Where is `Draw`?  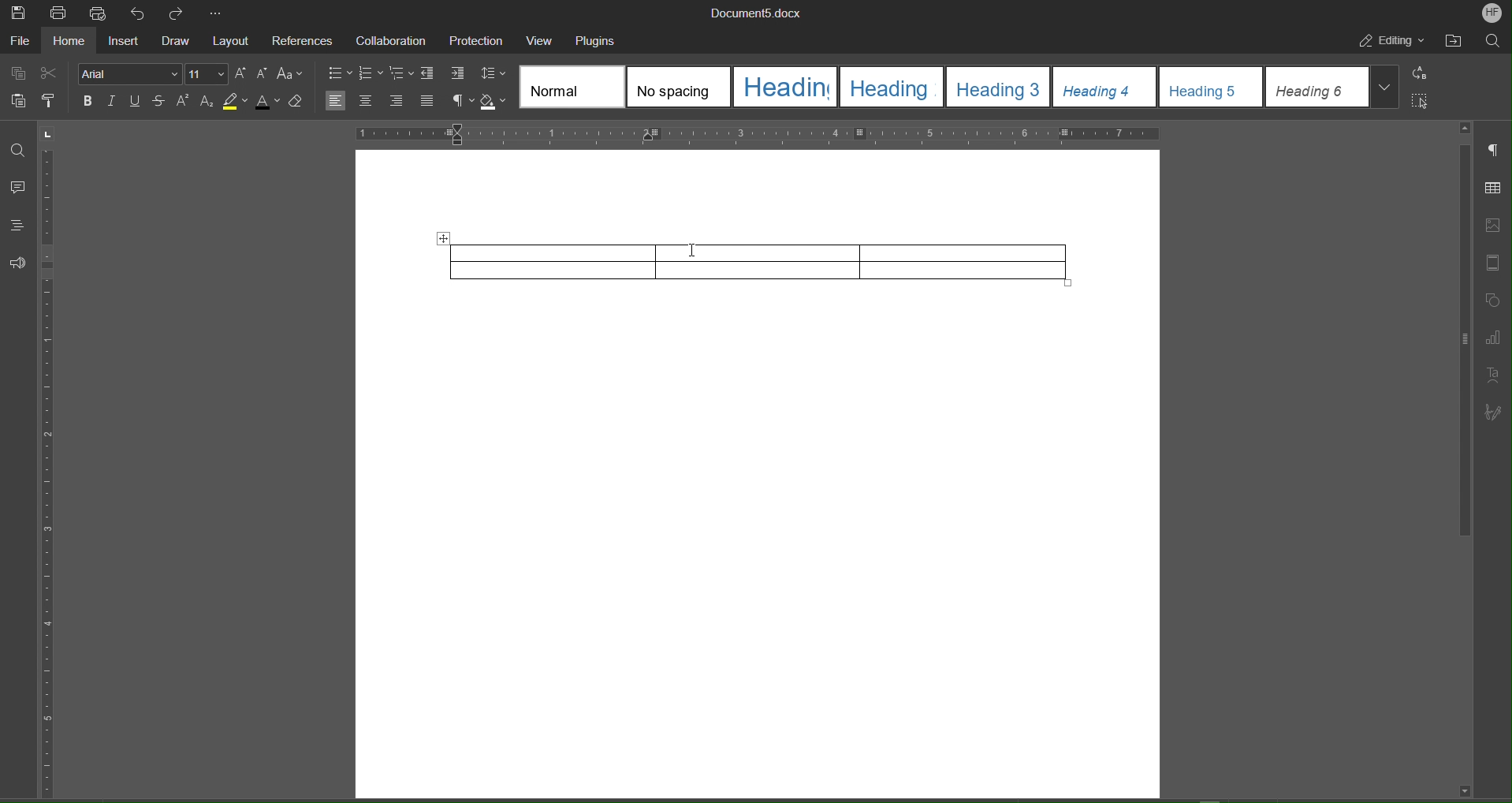
Draw is located at coordinates (180, 43).